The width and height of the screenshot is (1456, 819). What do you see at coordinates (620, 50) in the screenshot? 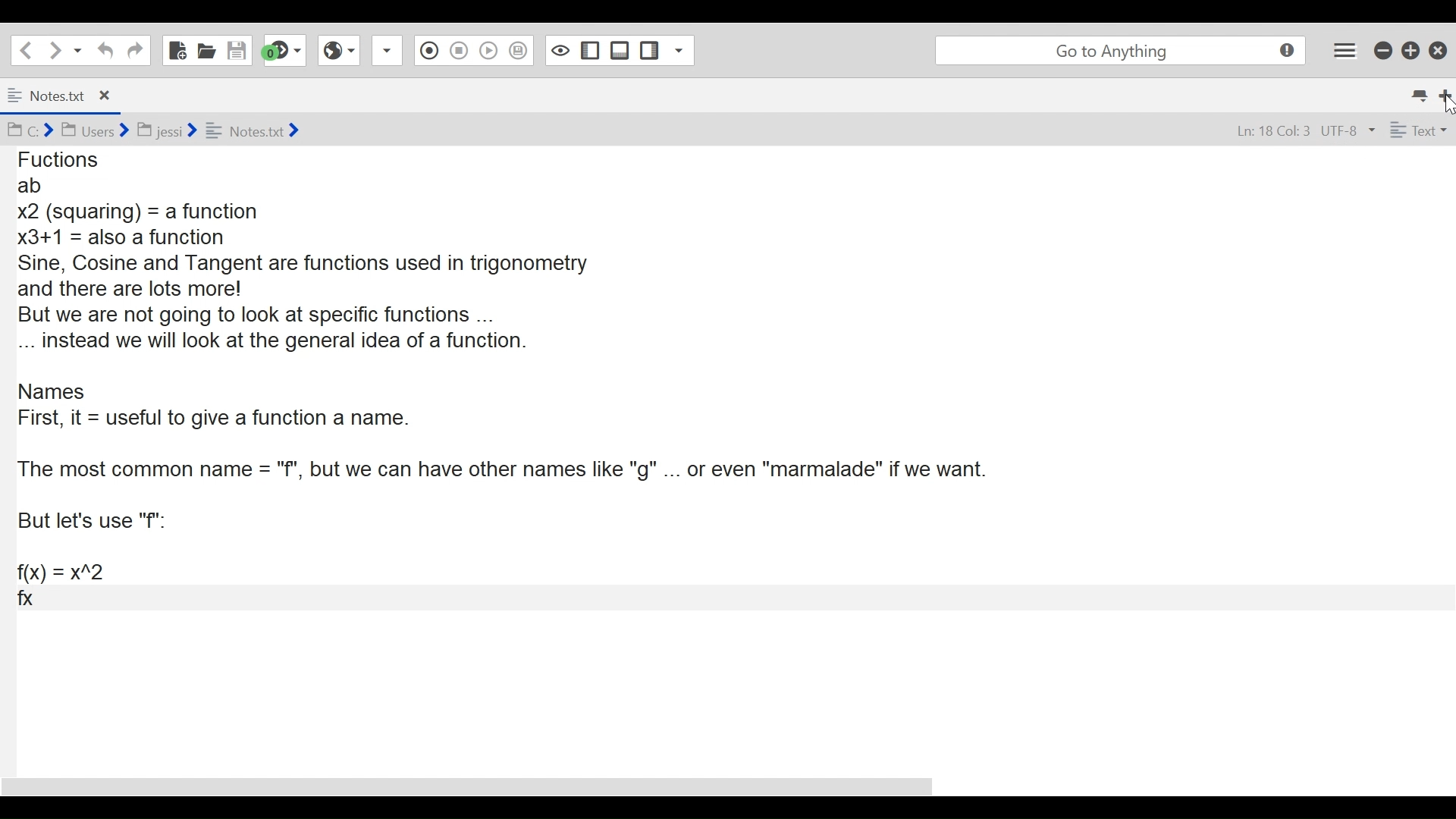
I see `Show/ide Bottom Sidebar` at bounding box center [620, 50].